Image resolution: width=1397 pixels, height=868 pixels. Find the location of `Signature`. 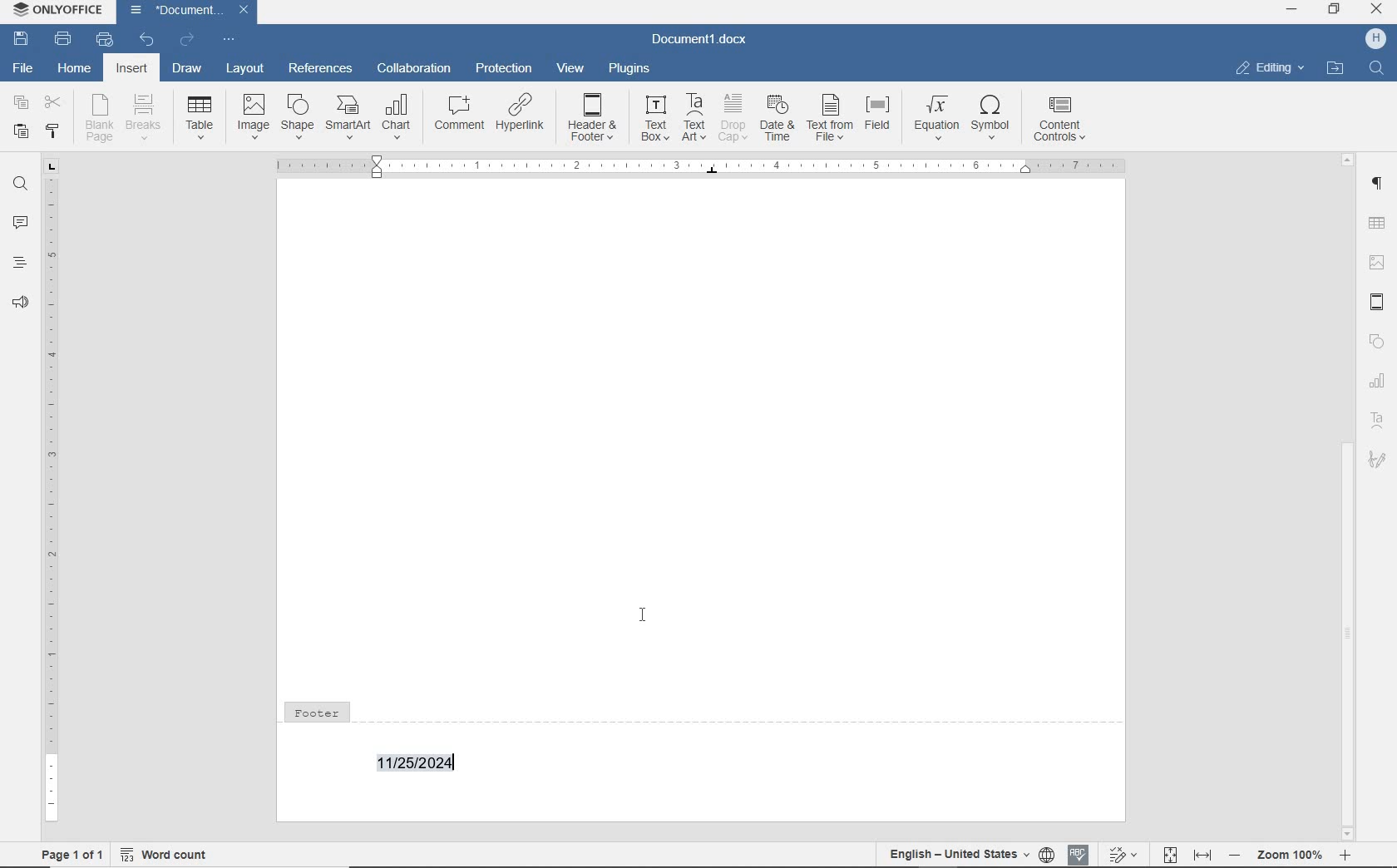

Signature is located at coordinates (1380, 465).